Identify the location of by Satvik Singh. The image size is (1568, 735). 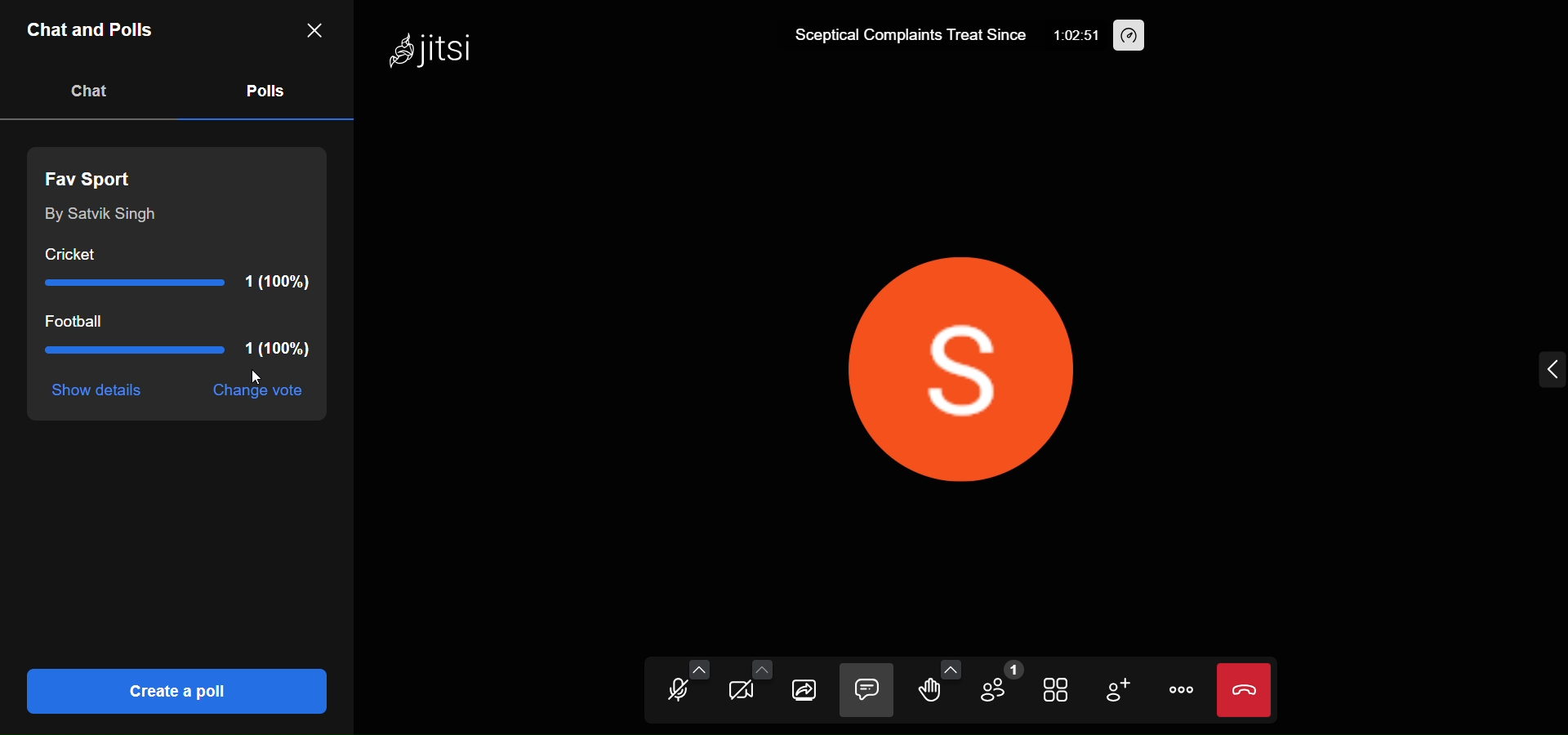
(98, 216).